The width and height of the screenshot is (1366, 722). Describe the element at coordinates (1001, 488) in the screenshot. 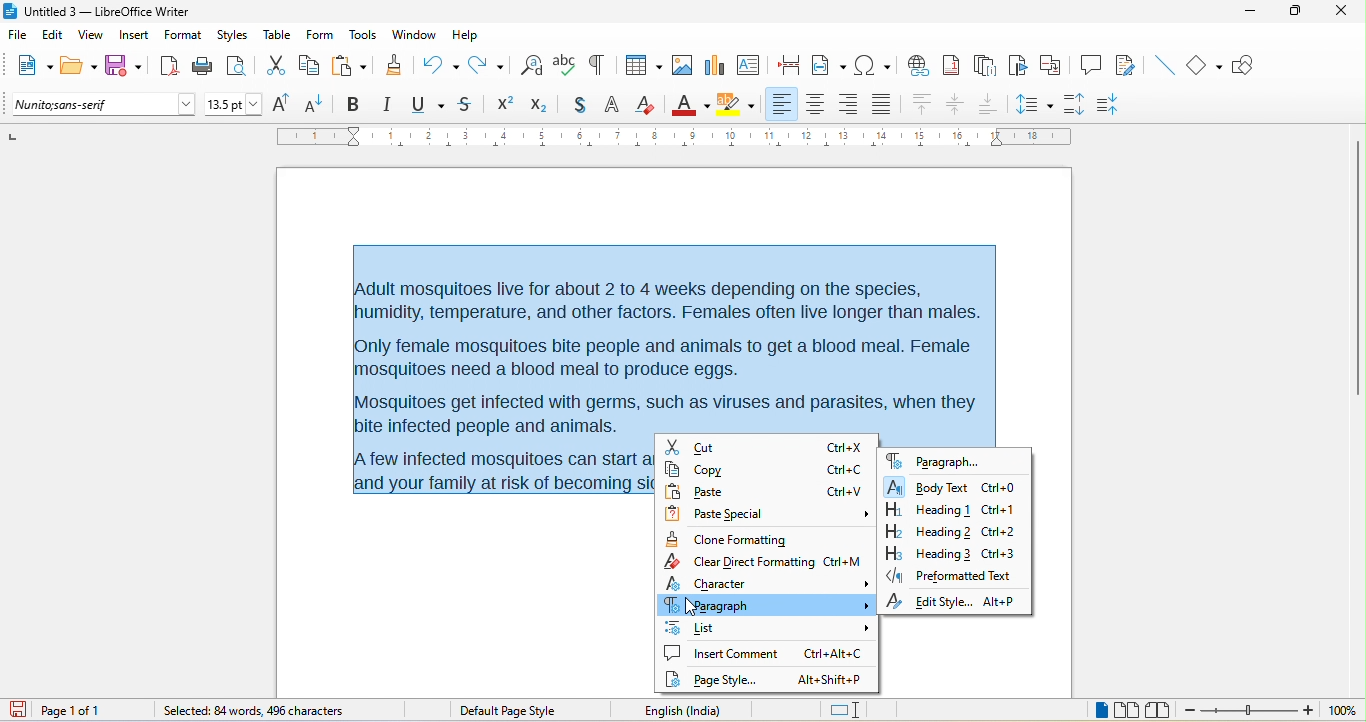

I see `shortcut key` at that location.